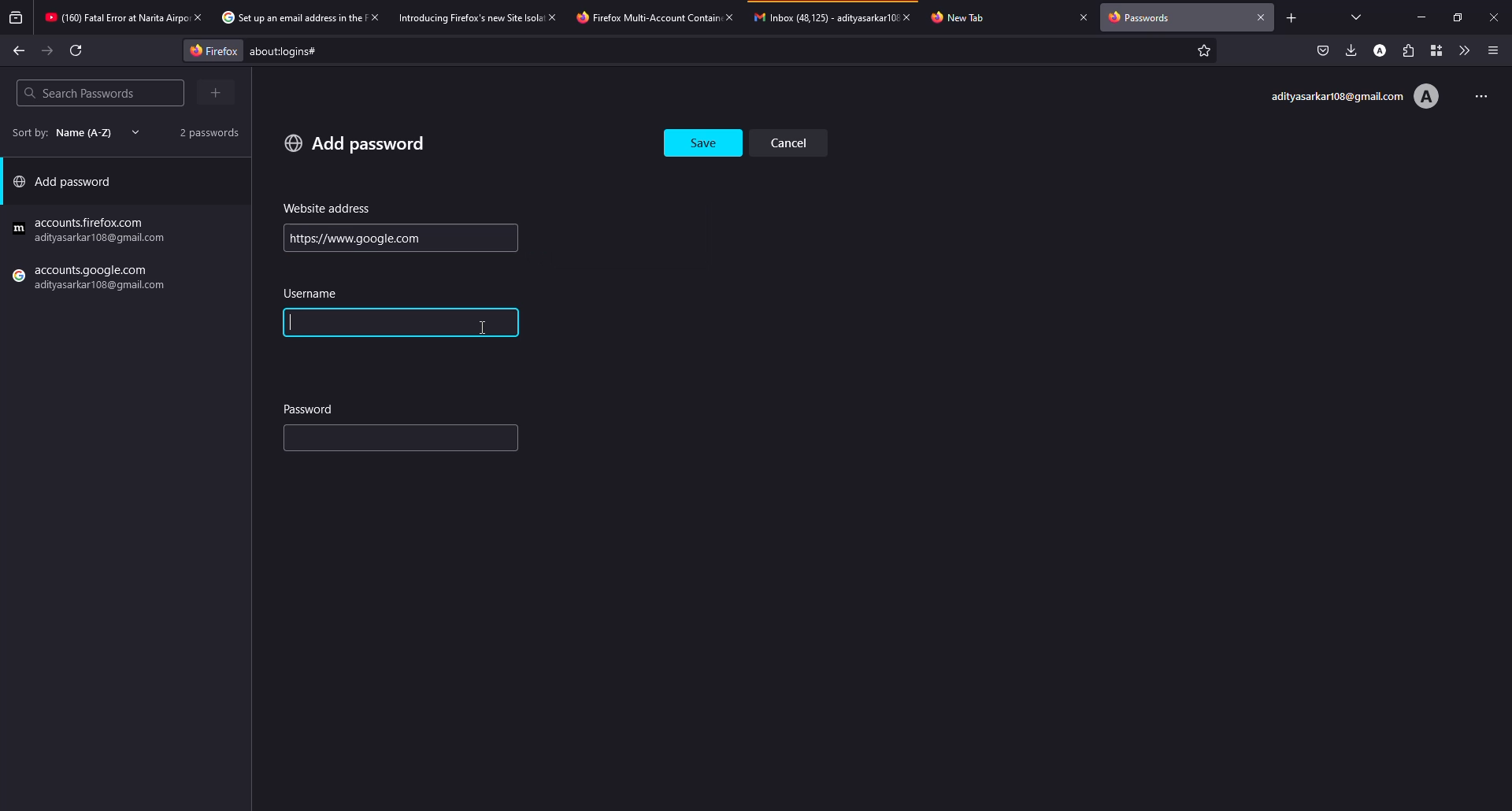 Image resolution: width=1512 pixels, height=811 pixels. What do you see at coordinates (209, 50) in the screenshot?
I see `firefox` at bounding box center [209, 50].